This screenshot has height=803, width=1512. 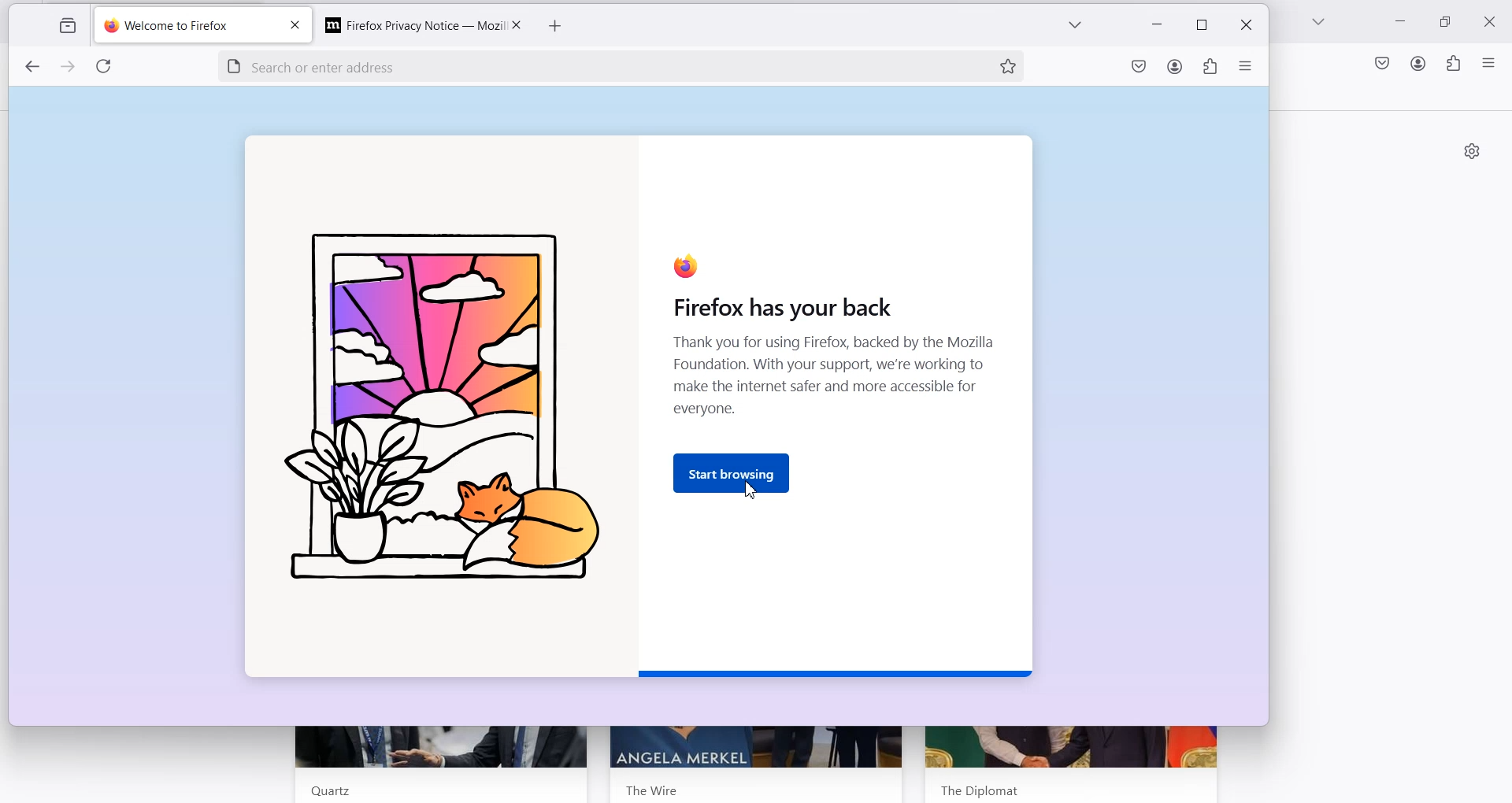 I want to click on Close, so click(x=1494, y=20).